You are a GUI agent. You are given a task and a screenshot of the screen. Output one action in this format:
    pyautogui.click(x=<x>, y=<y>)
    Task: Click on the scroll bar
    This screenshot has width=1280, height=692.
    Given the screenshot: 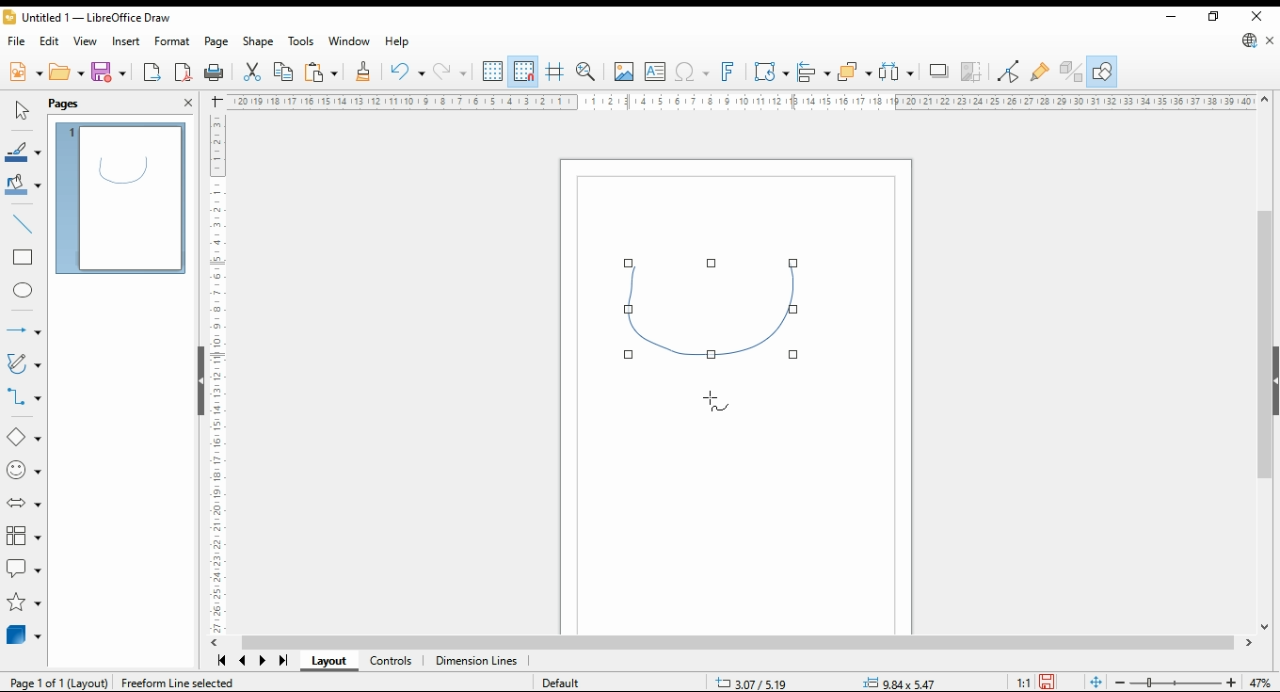 What is the action you would take?
    pyautogui.click(x=743, y=643)
    